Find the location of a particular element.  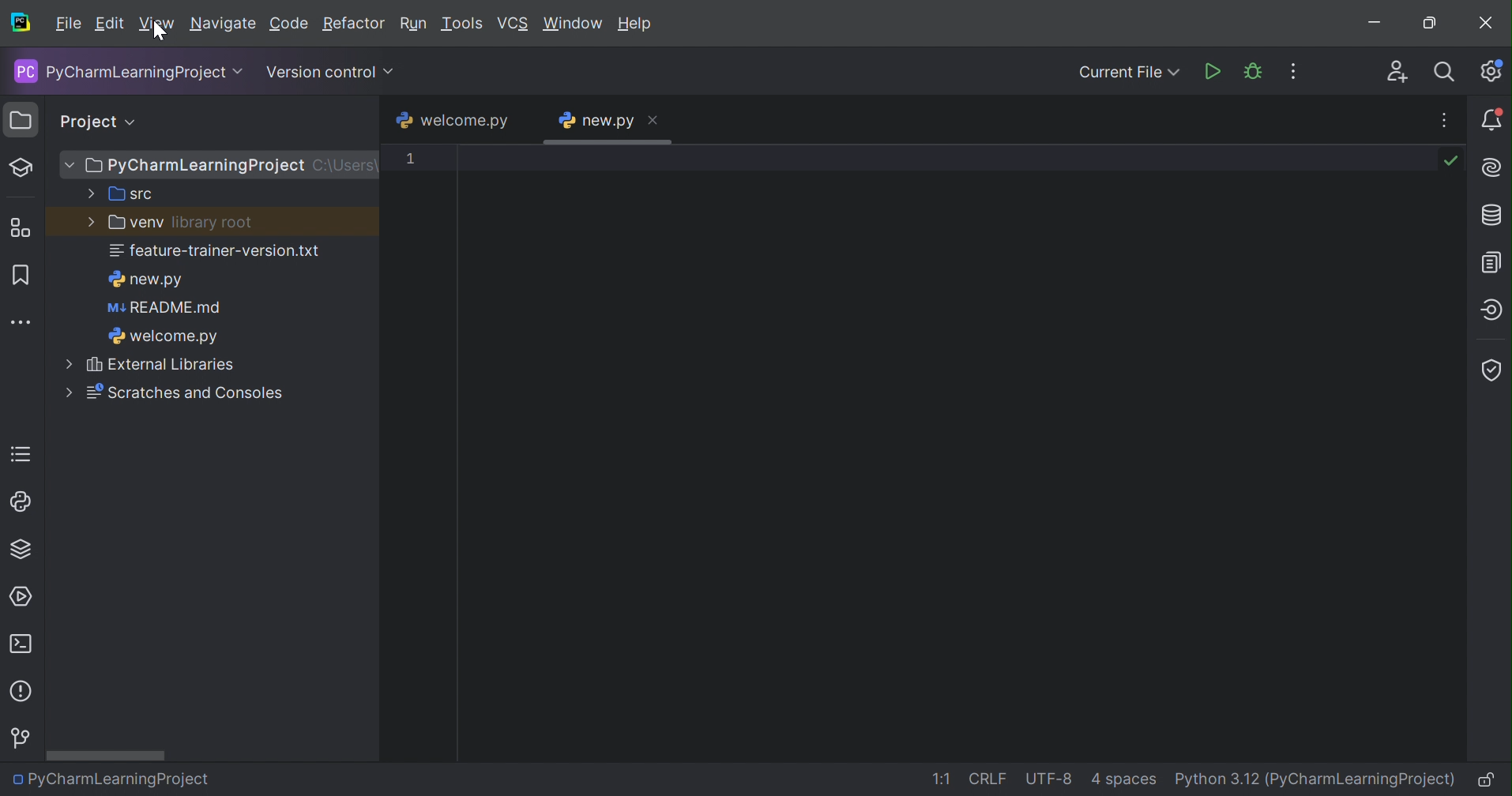

Minimize is located at coordinates (1377, 22).